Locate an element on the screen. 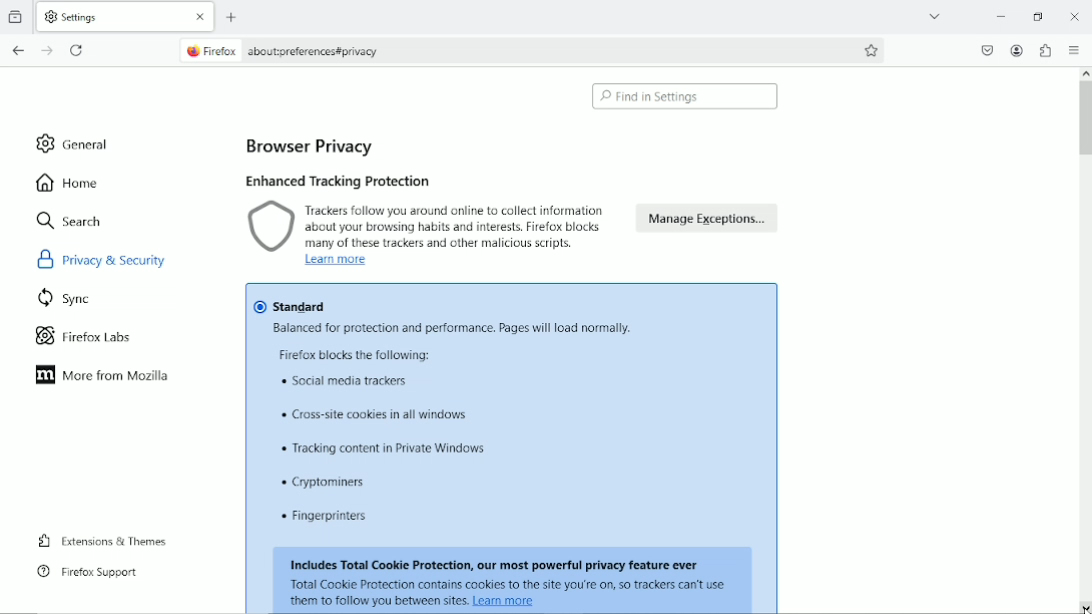 This screenshot has height=614, width=1092. current tab is located at coordinates (109, 16).